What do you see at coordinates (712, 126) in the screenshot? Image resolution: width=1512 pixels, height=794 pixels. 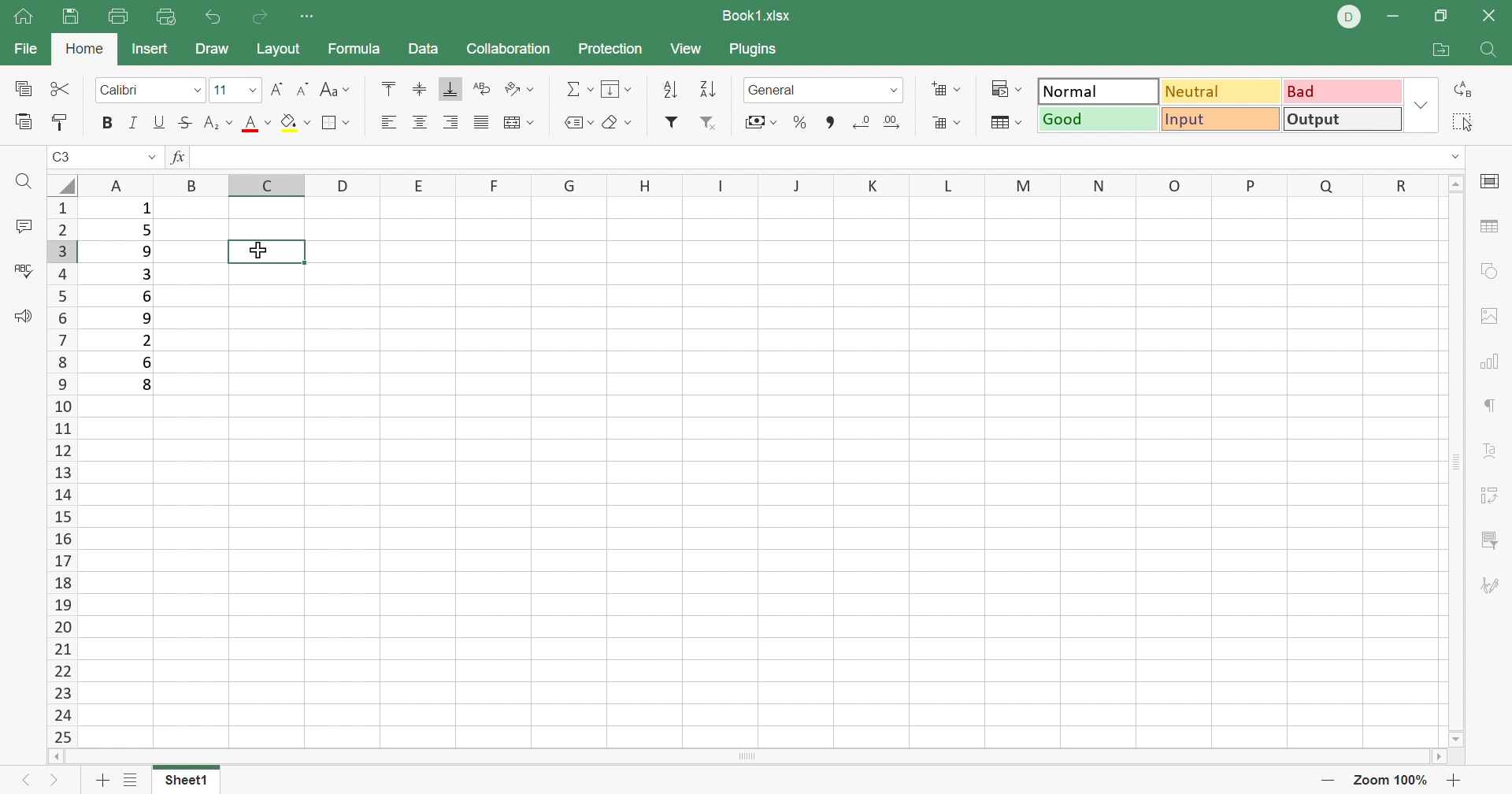 I see `Remove filter` at bounding box center [712, 126].